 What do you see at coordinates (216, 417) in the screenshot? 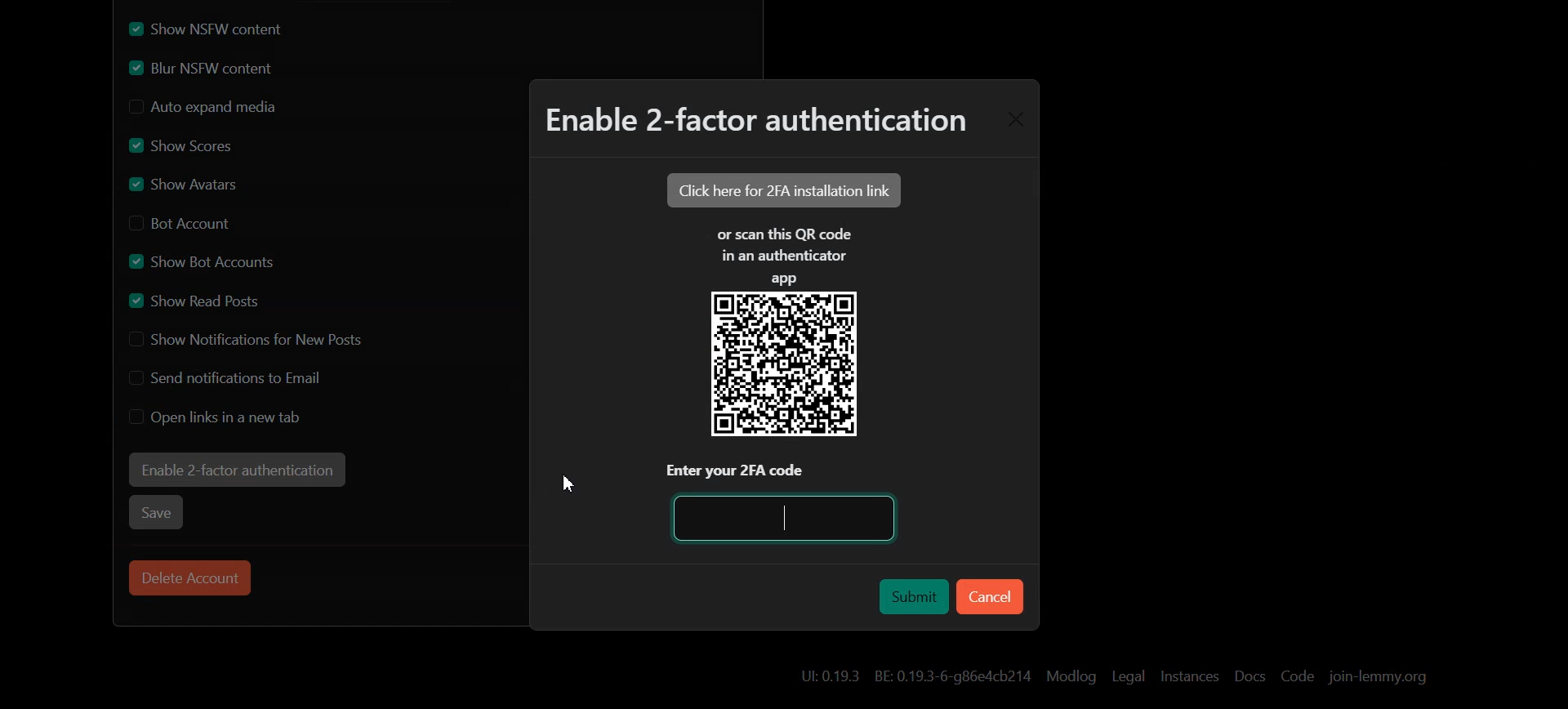
I see `Disable Open links in new tab` at bounding box center [216, 417].